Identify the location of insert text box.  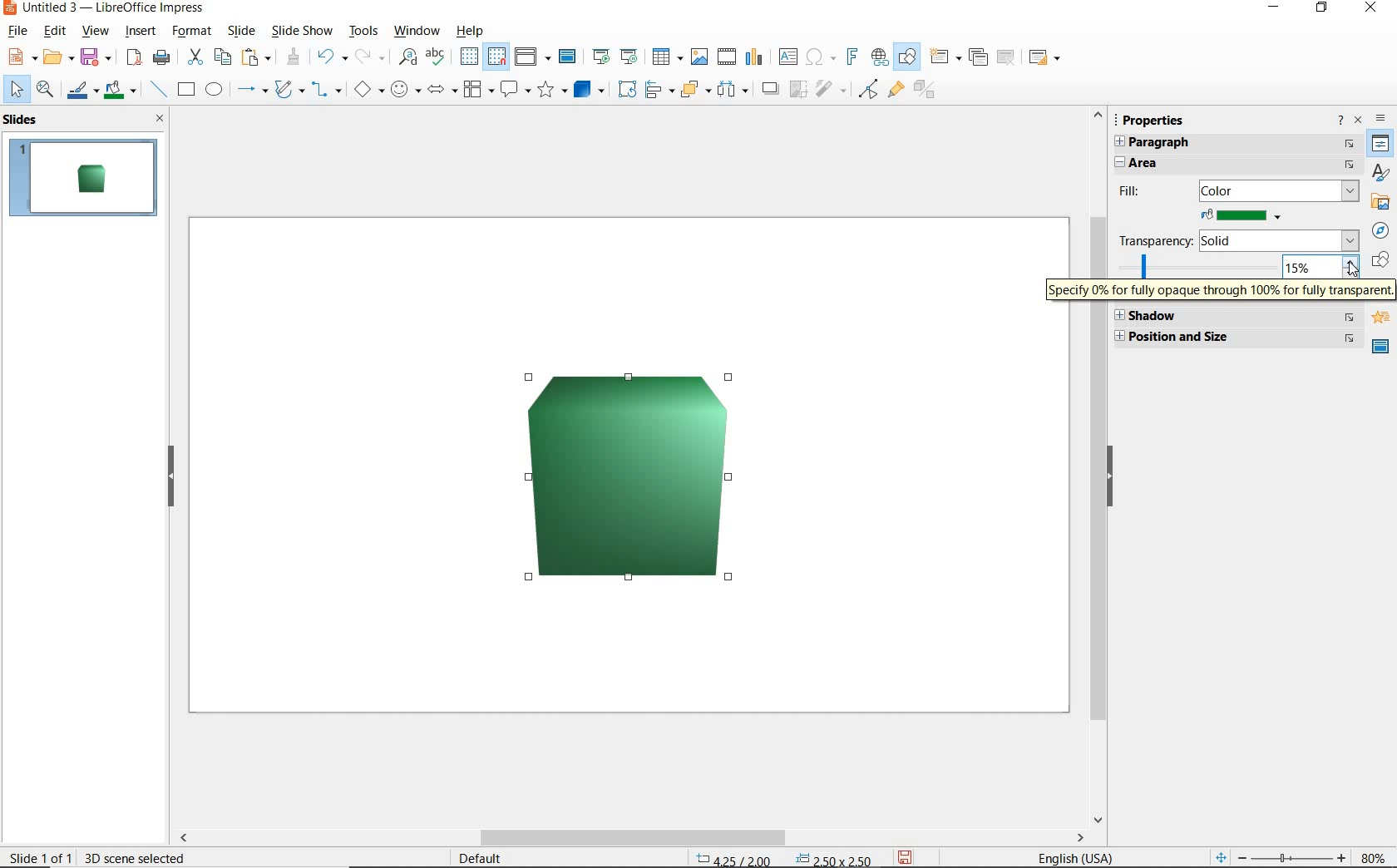
(789, 57).